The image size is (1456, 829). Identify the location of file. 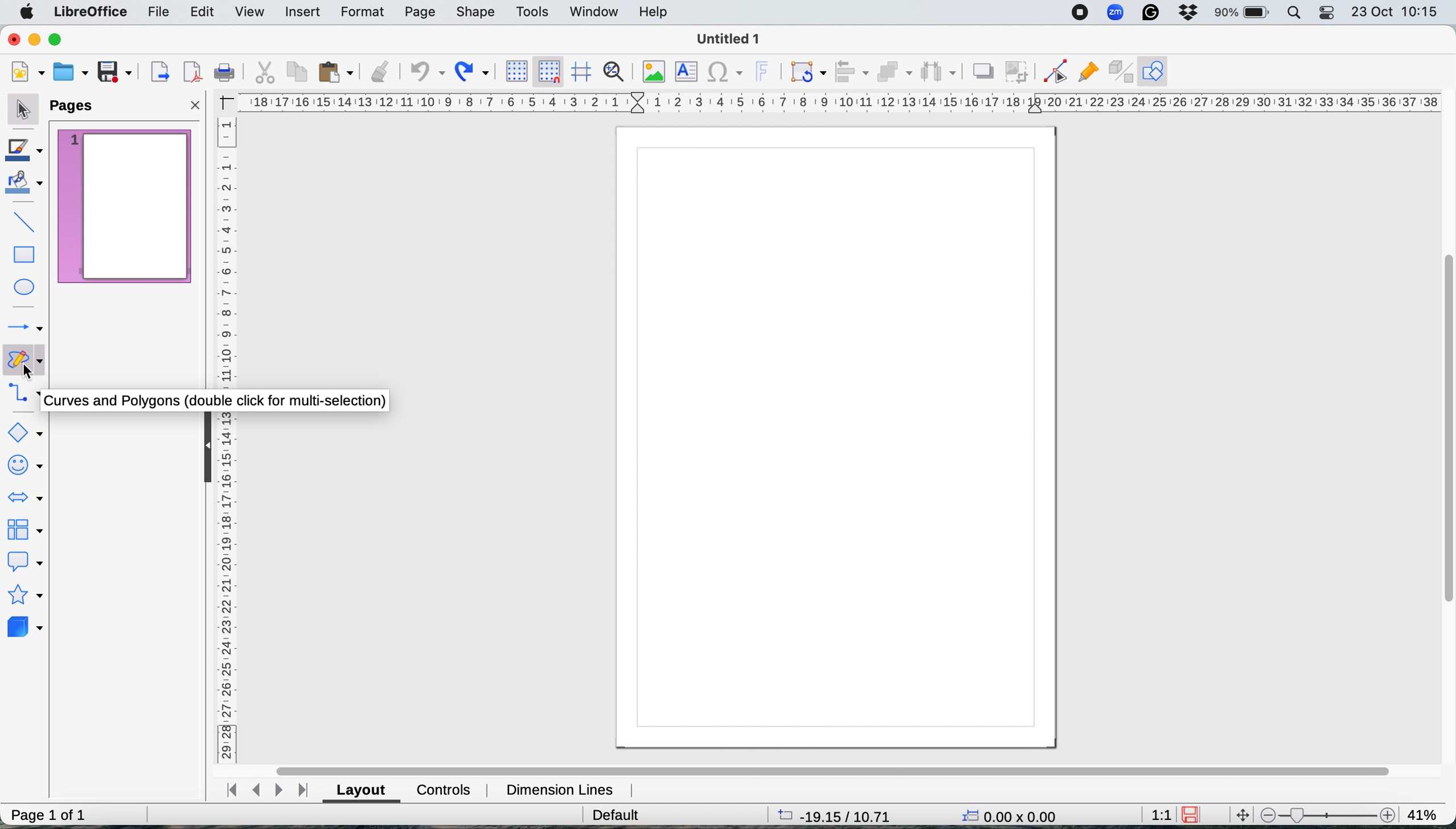
(161, 13).